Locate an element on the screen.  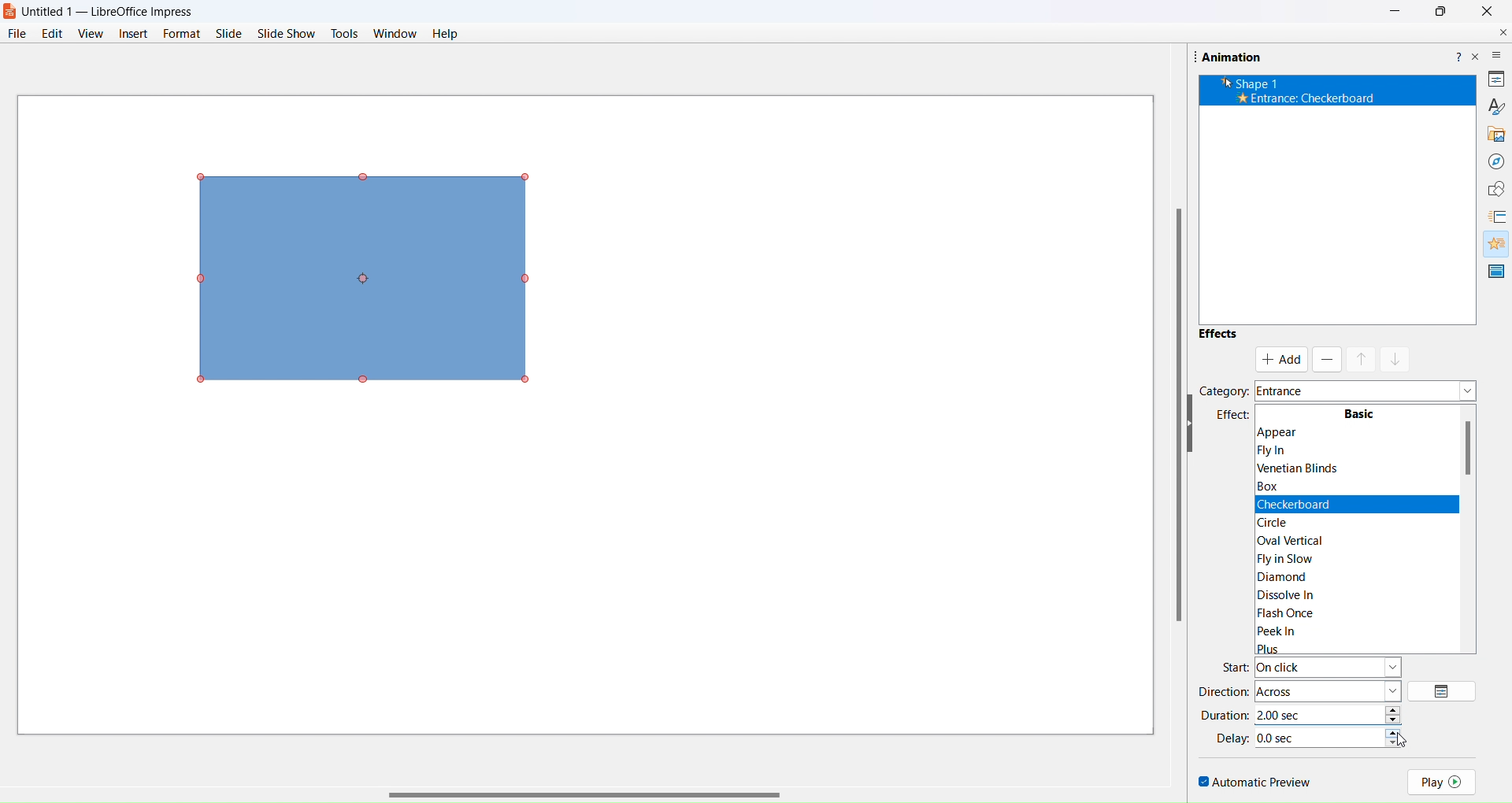
circle is located at coordinates (1287, 520).